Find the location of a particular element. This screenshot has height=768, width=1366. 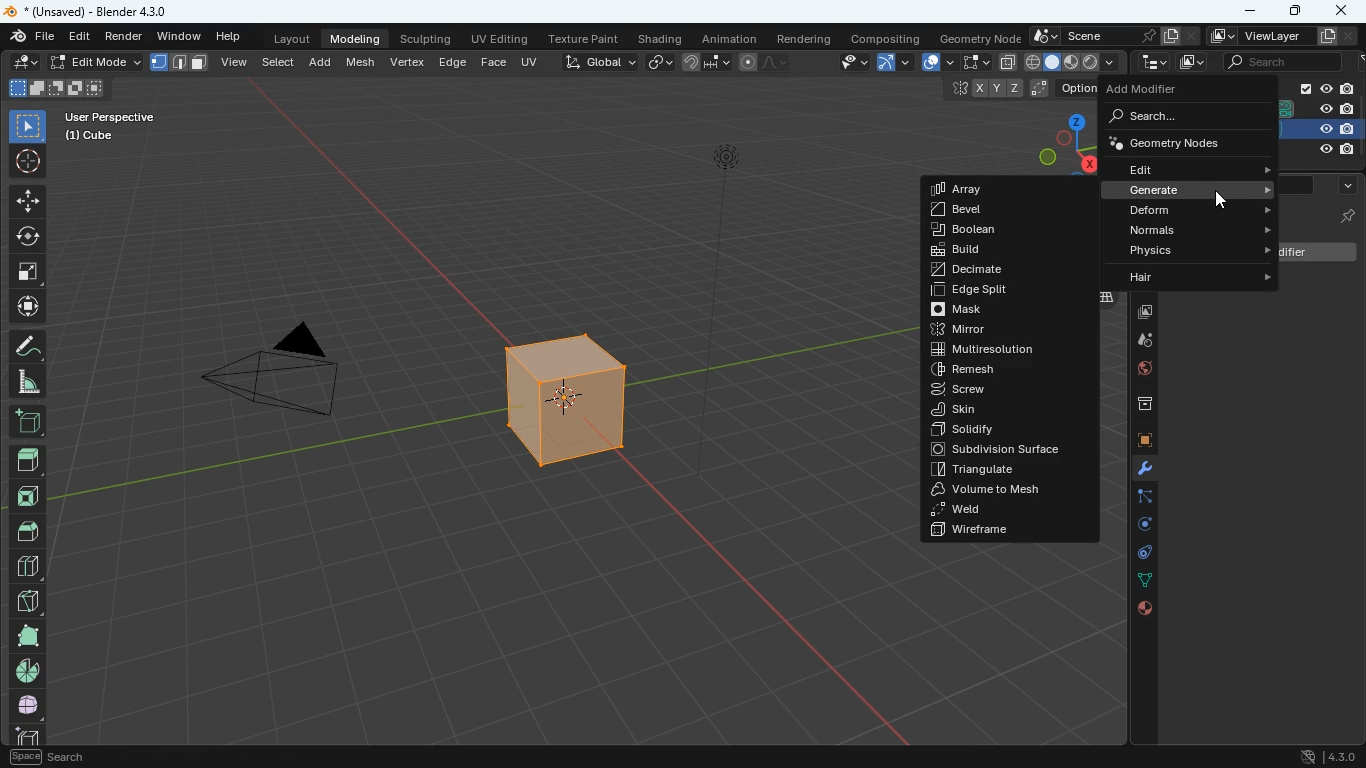

solidify is located at coordinates (990, 430).